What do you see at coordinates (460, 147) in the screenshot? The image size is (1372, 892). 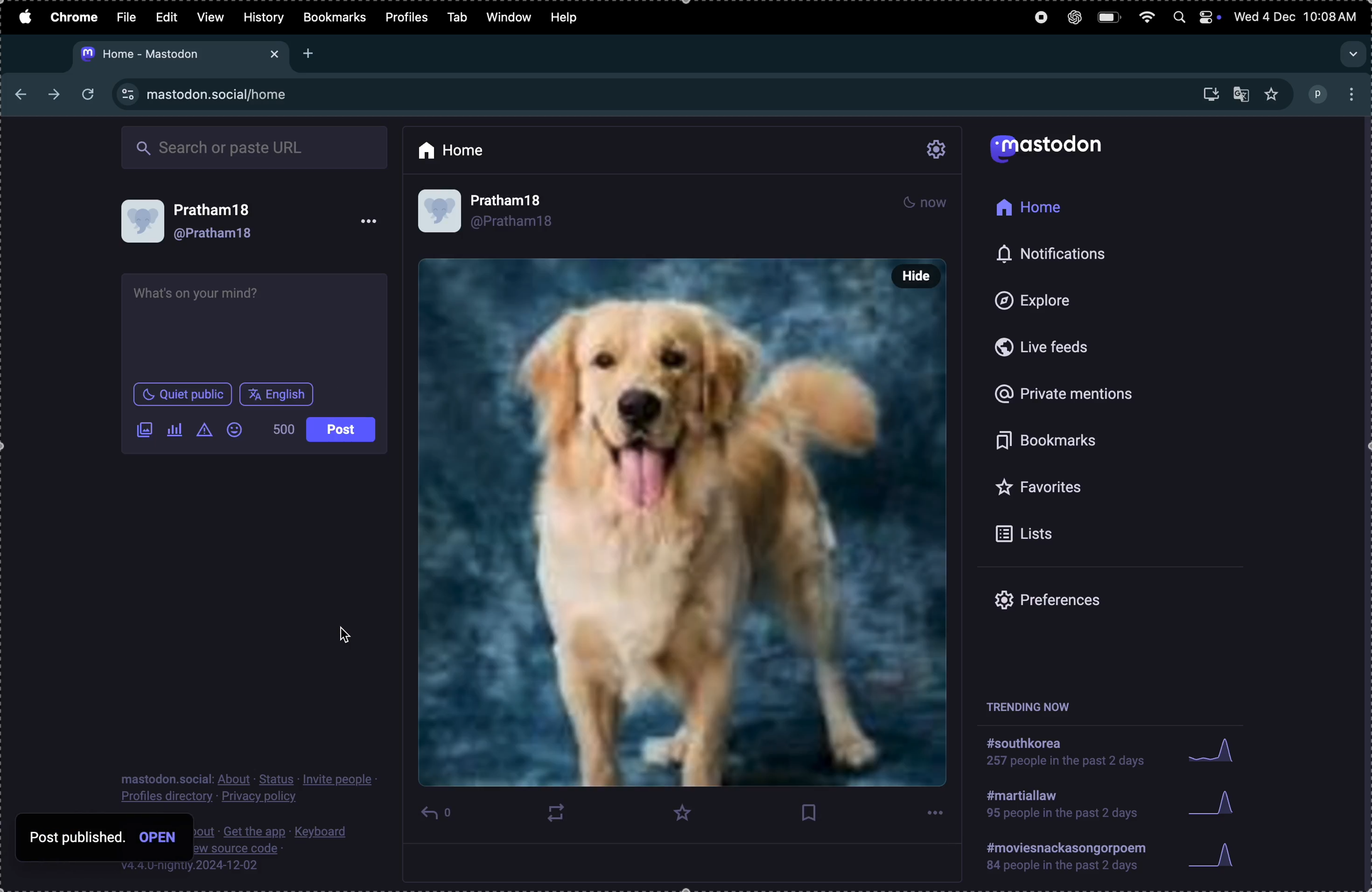 I see `Home` at bounding box center [460, 147].